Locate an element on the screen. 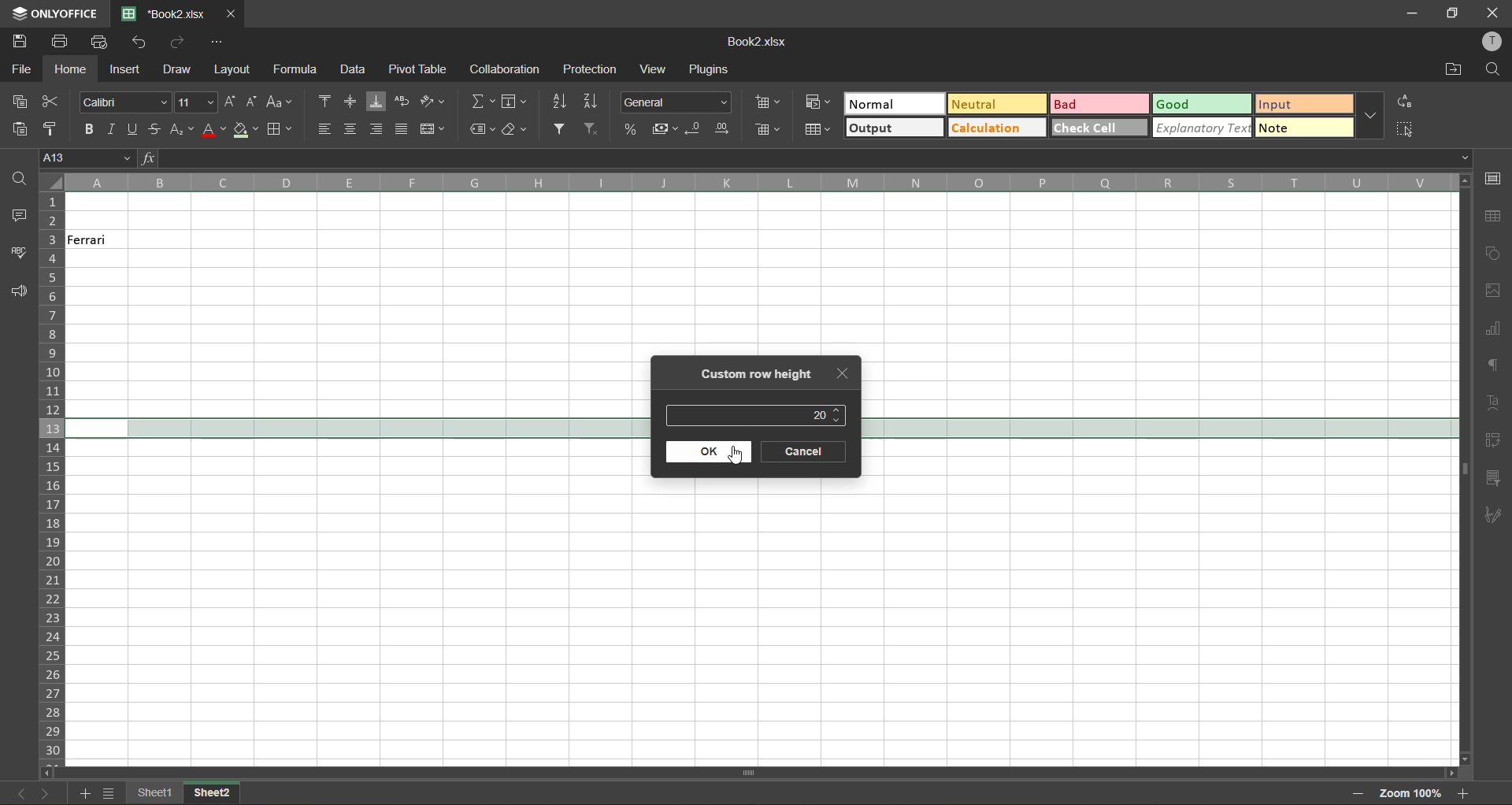 This screenshot has height=805, width=1512. percent is located at coordinates (632, 131).